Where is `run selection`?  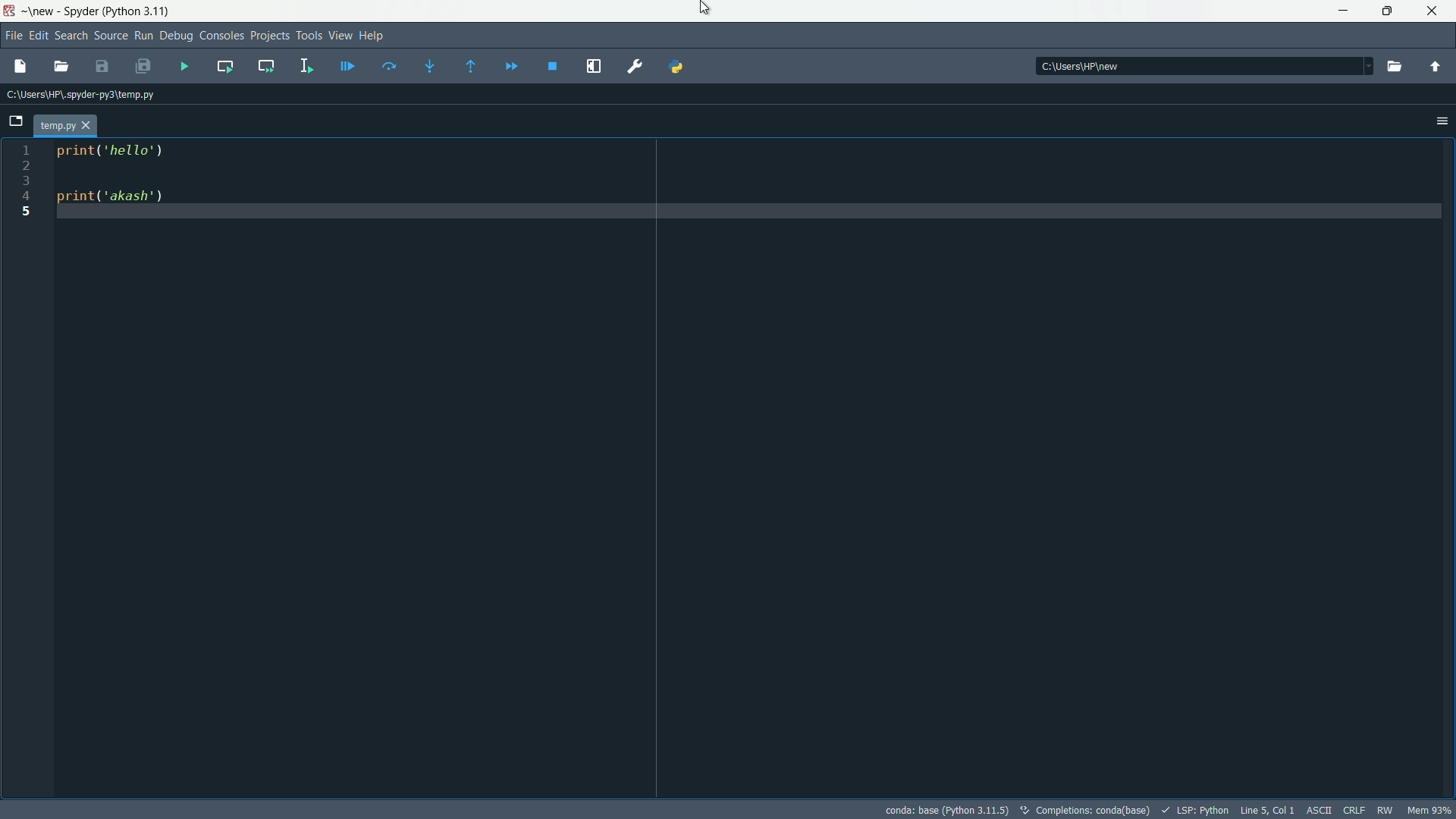 run selection is located at coordinates (306, 64).